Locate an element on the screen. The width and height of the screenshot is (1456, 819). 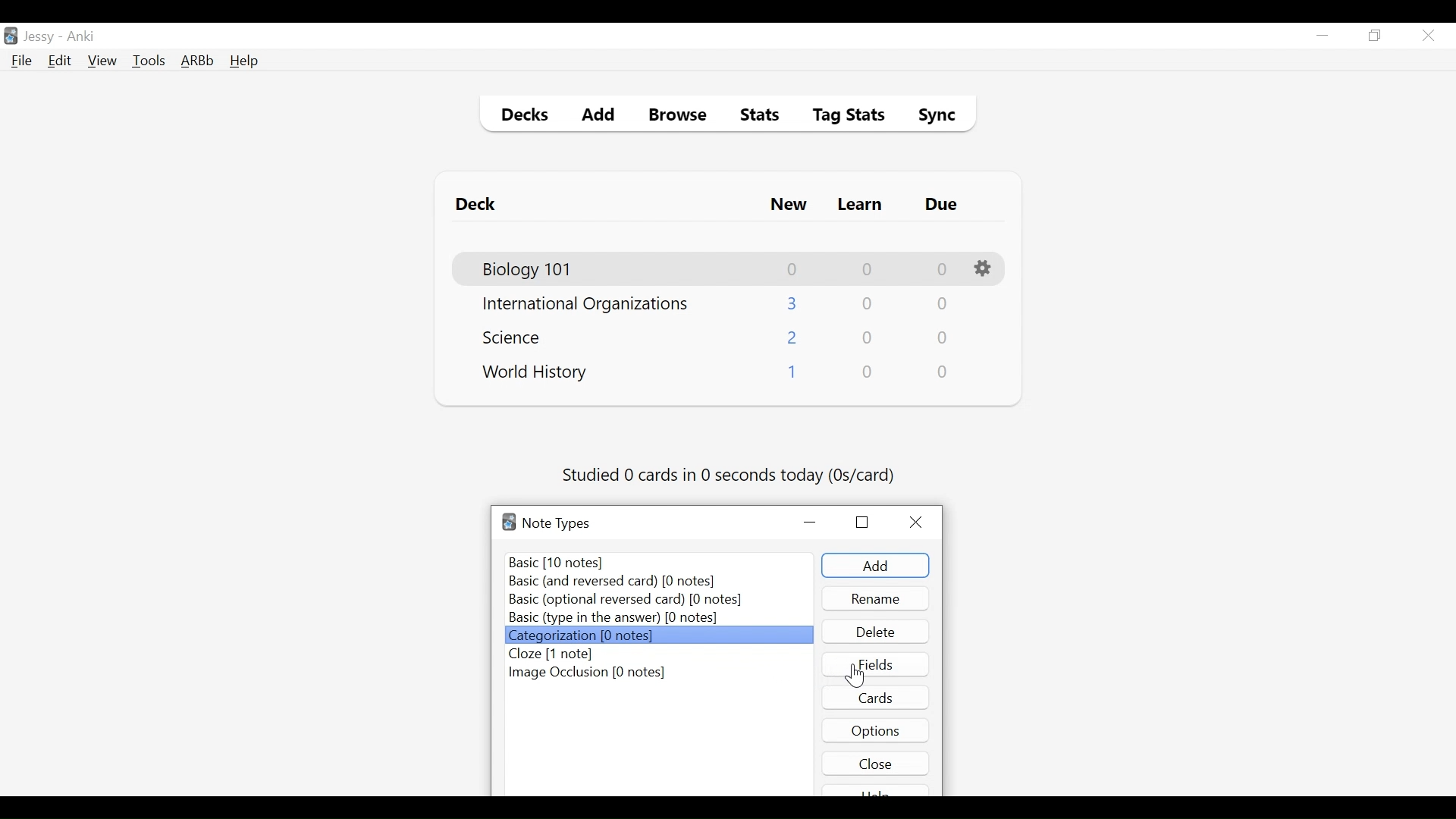
Delete is located at coordinates (874, 632).